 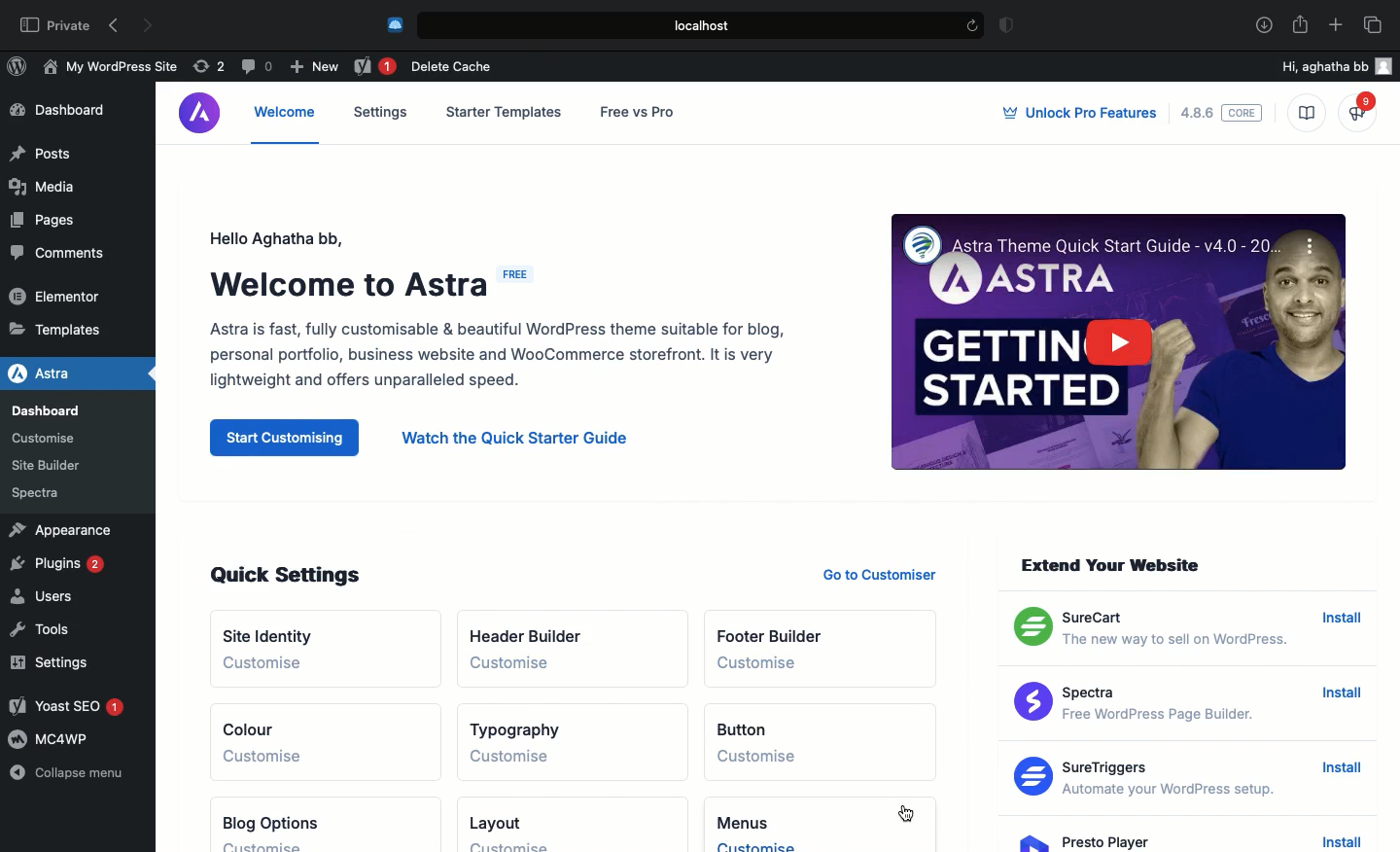 I want to click on Hi, aghatha bb, so click(x=1316, y=64).